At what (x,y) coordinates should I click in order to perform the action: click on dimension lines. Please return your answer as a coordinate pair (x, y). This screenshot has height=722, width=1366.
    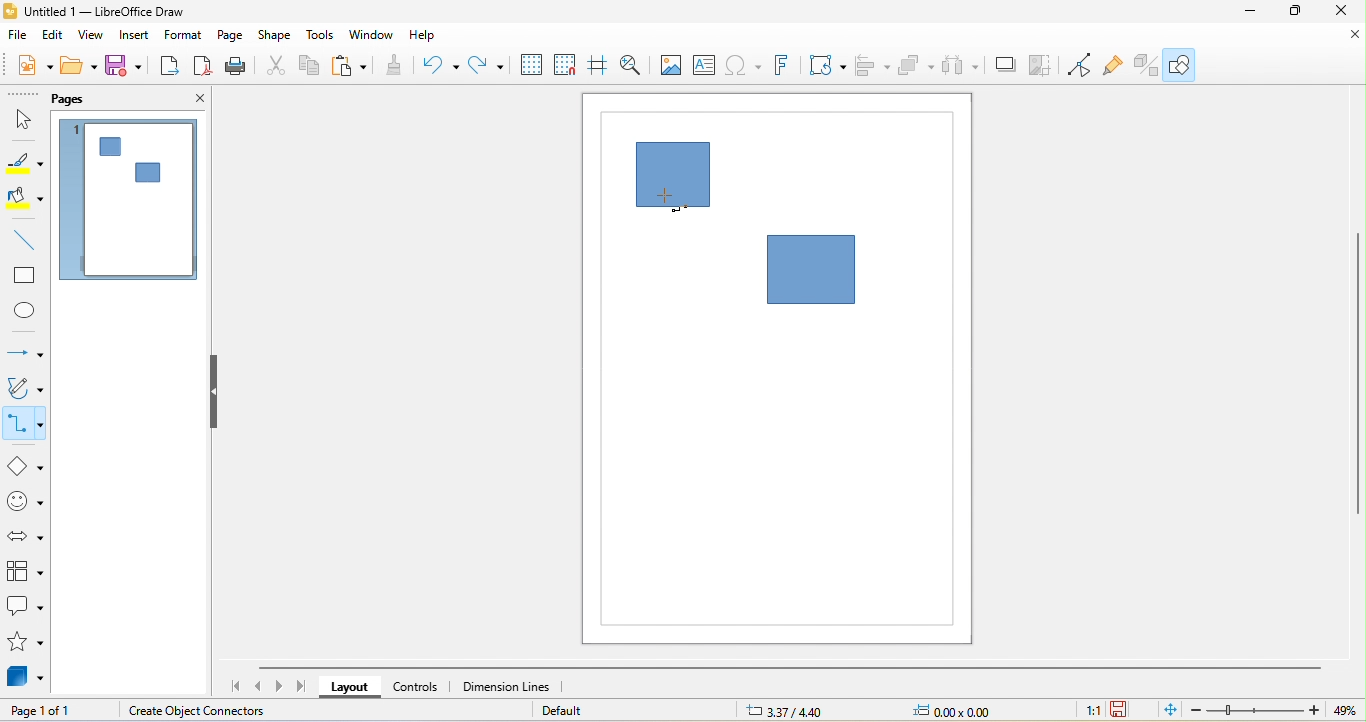
    Looking at the image, I should click on (514, 687).